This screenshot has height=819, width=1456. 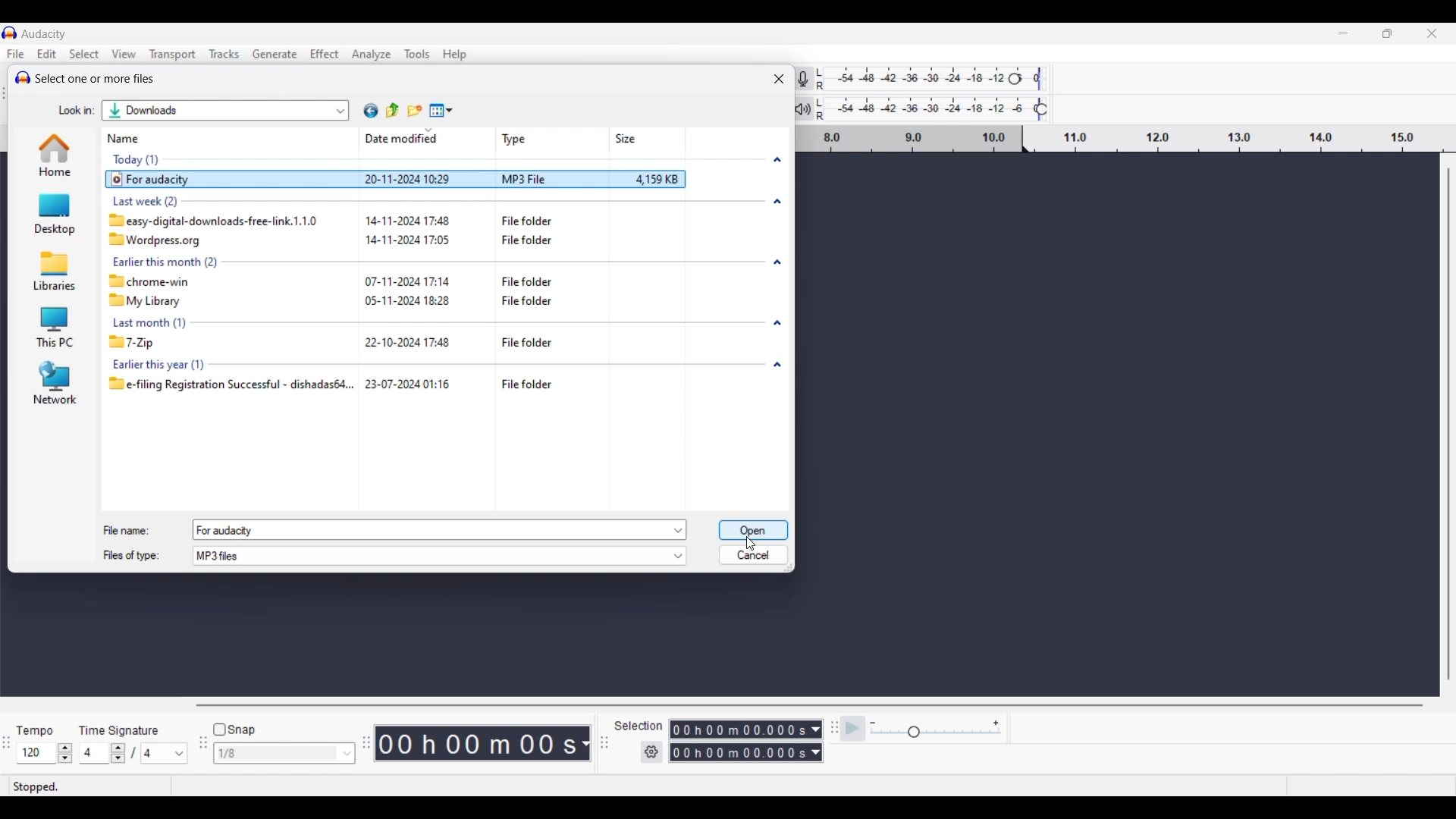 What do you see at coordinates (371, 55) in the screenshot?
I see `Analyze menu` at bounding box center [371, 55].